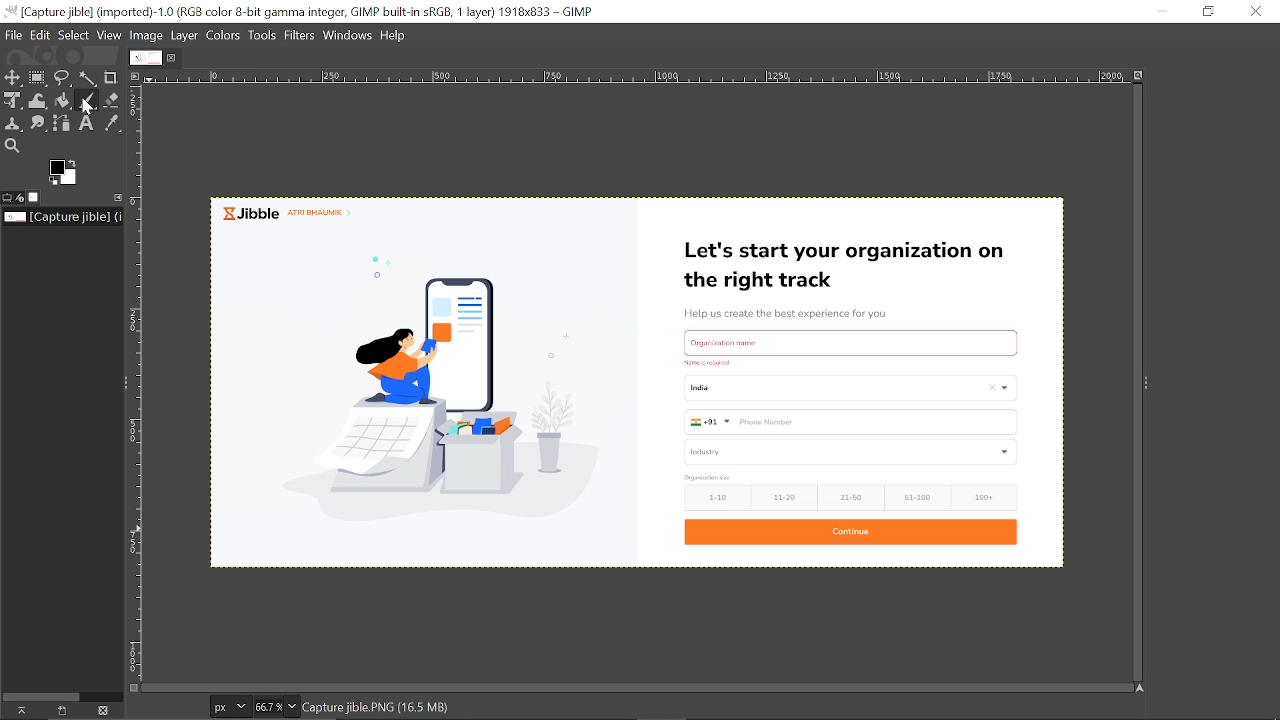  I want to click on Scale, so click(639, 78).